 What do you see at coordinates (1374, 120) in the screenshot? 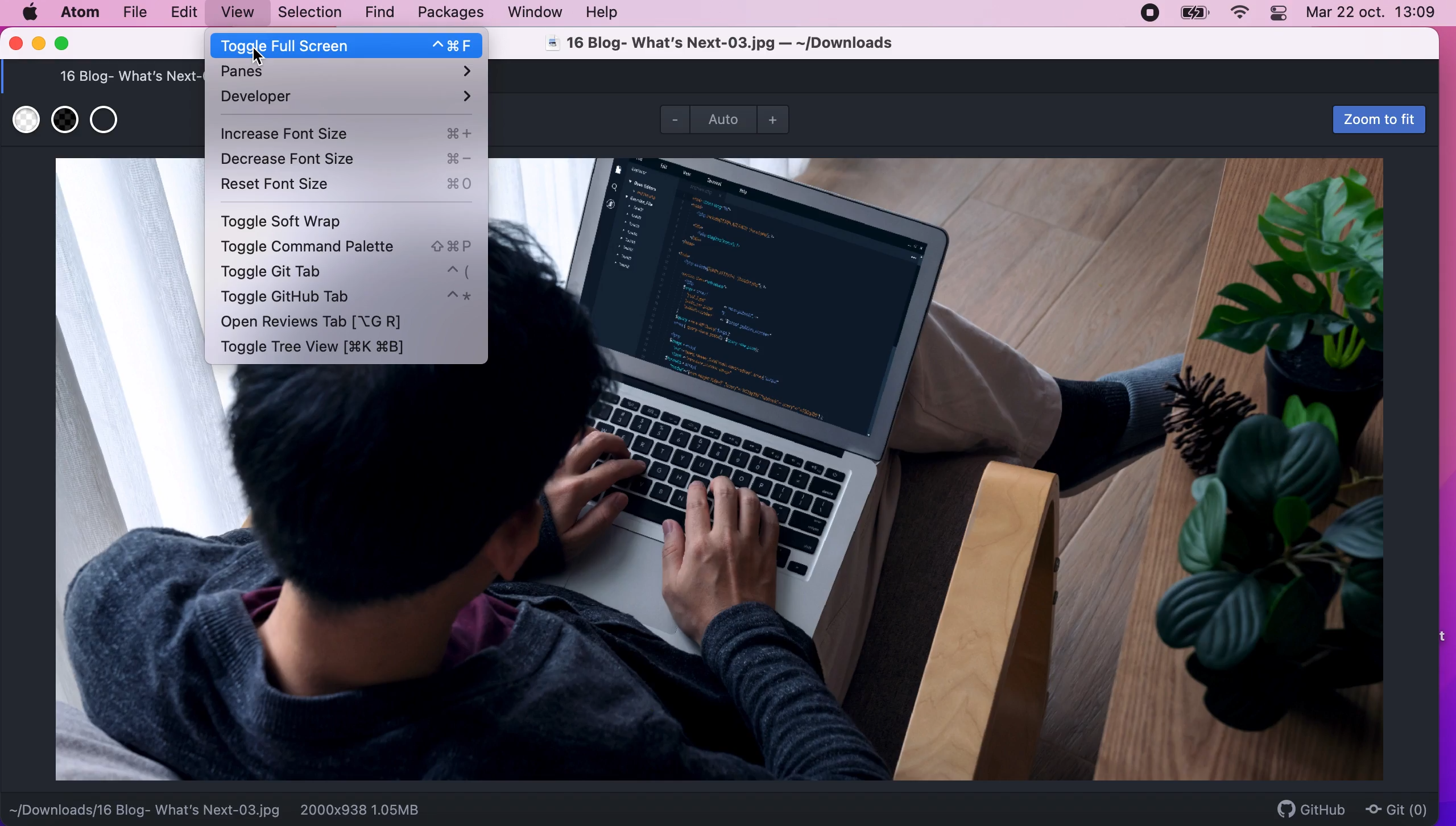
I see `zoom to fit` at bounding box center [1374, 120].